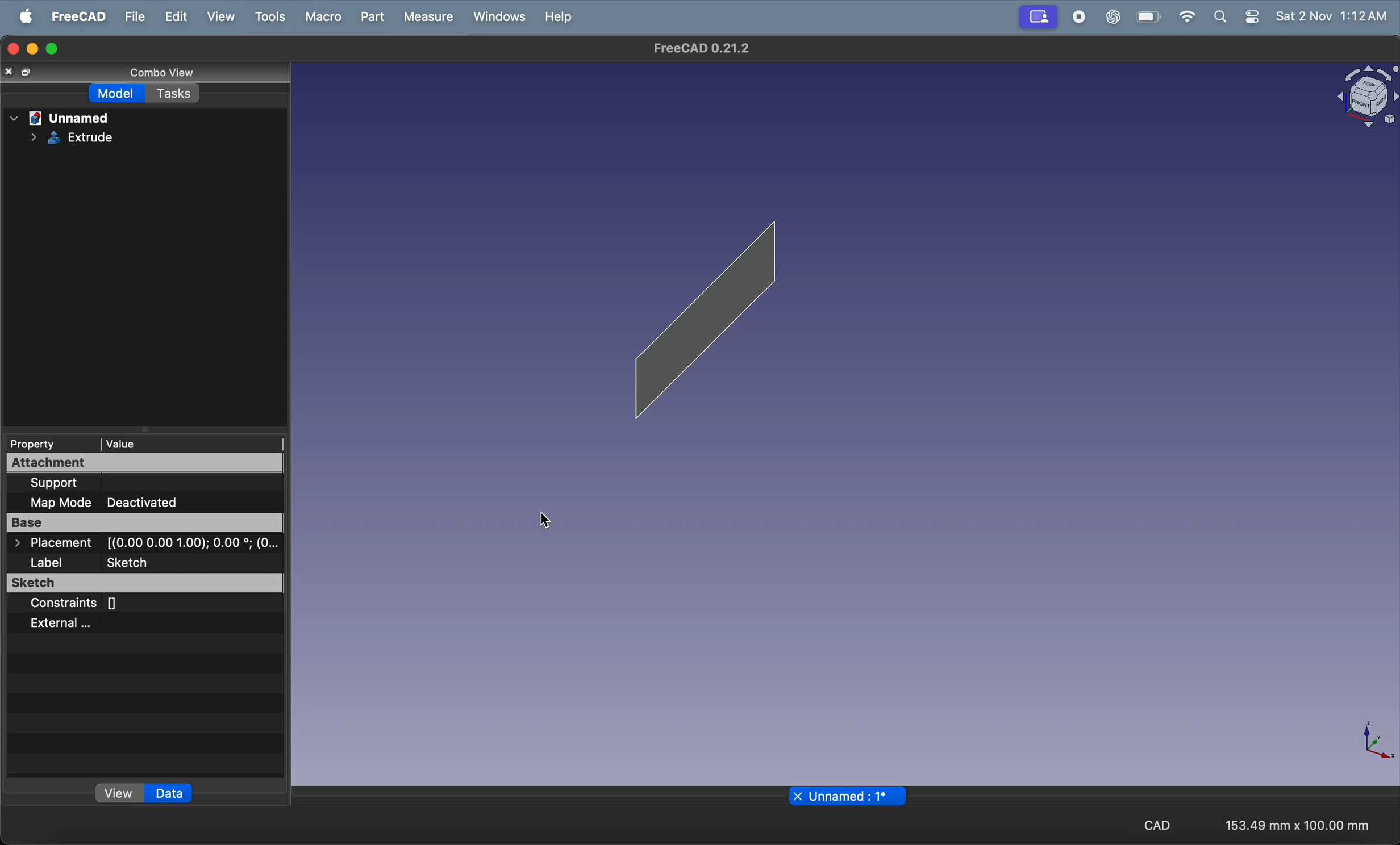 The height and width of the screenshot is (845, 1400). I want to click on minimize, so click(33, 49).